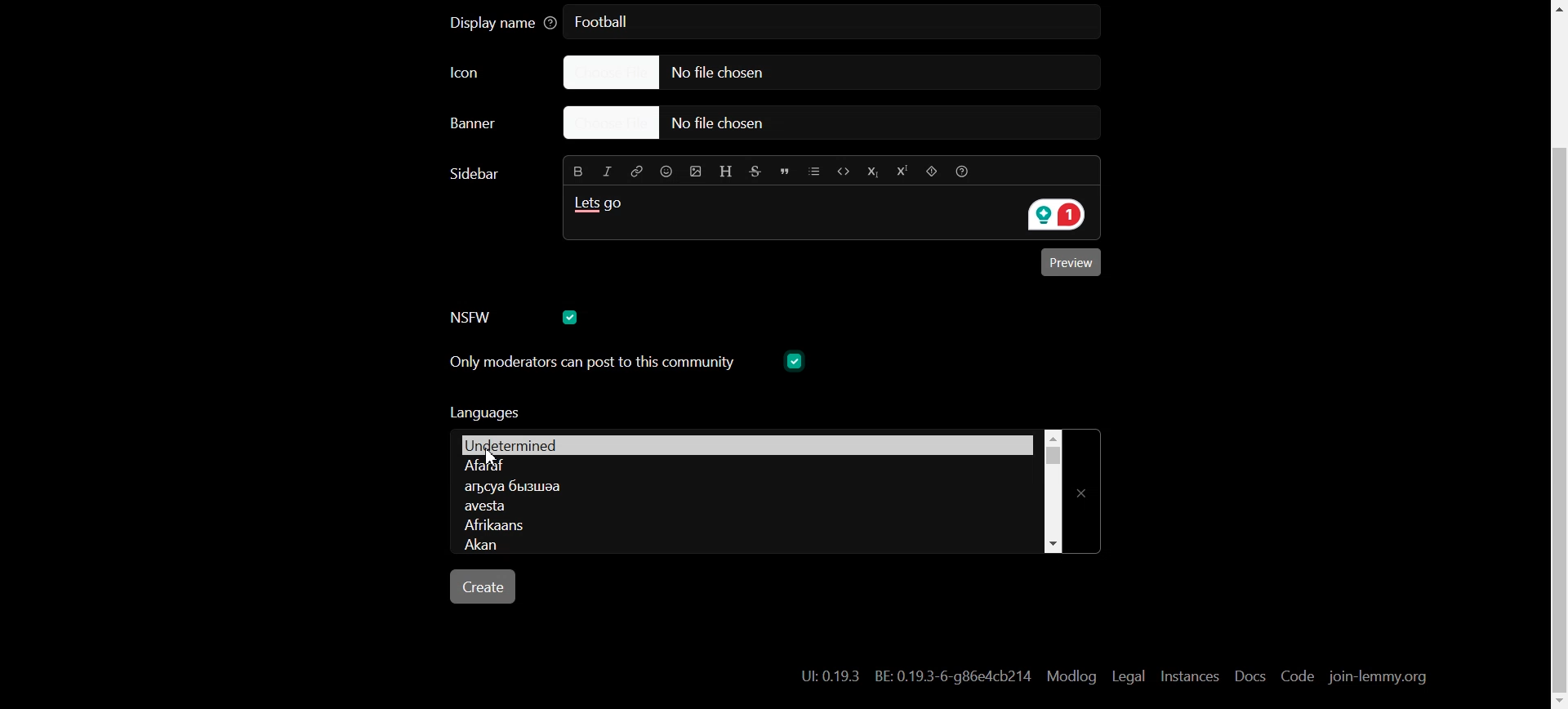  I want to click on Language, so click(743, 526).